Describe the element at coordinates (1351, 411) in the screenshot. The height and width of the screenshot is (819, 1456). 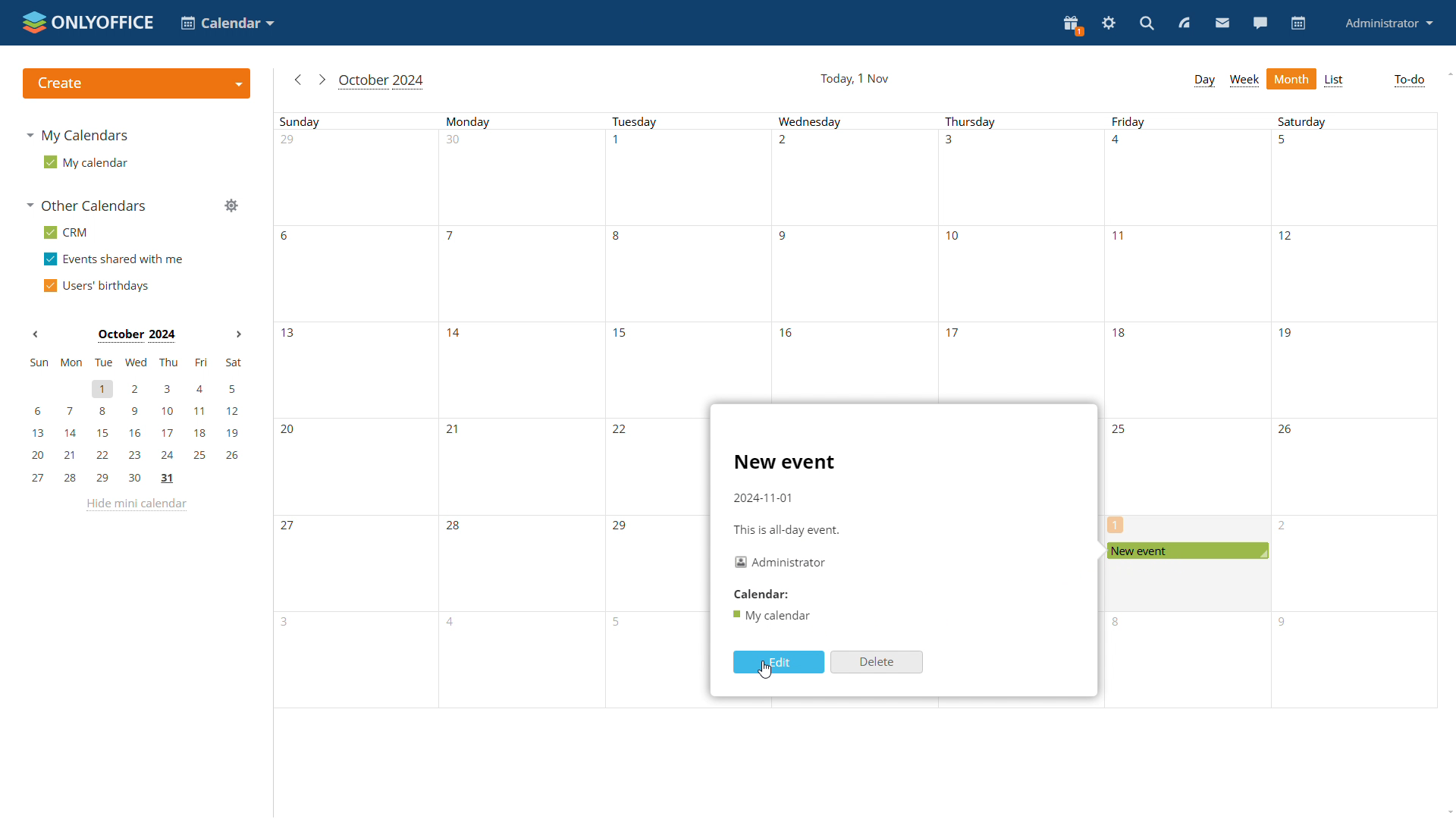
I see `Saturday` at that location.